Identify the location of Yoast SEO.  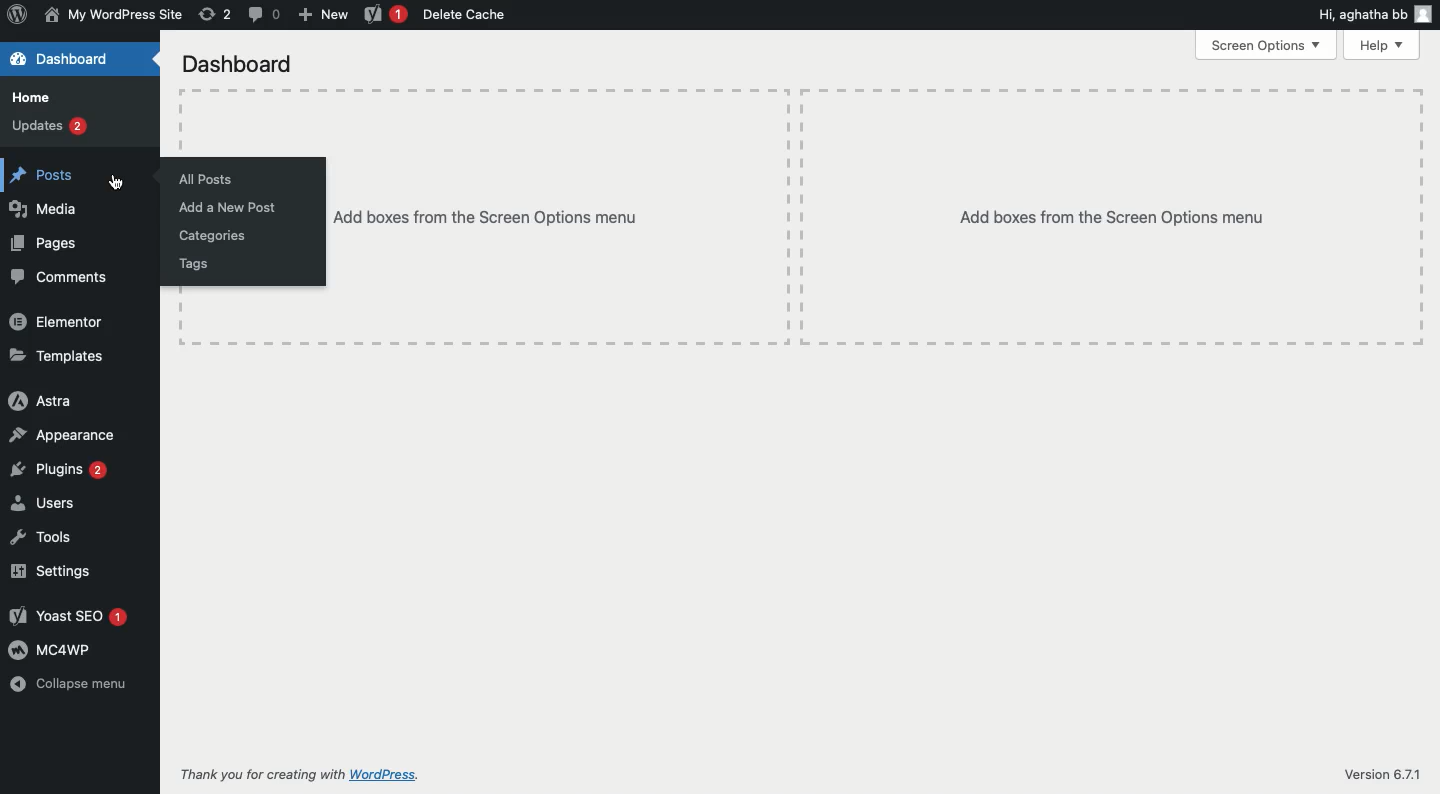
(67, 613).